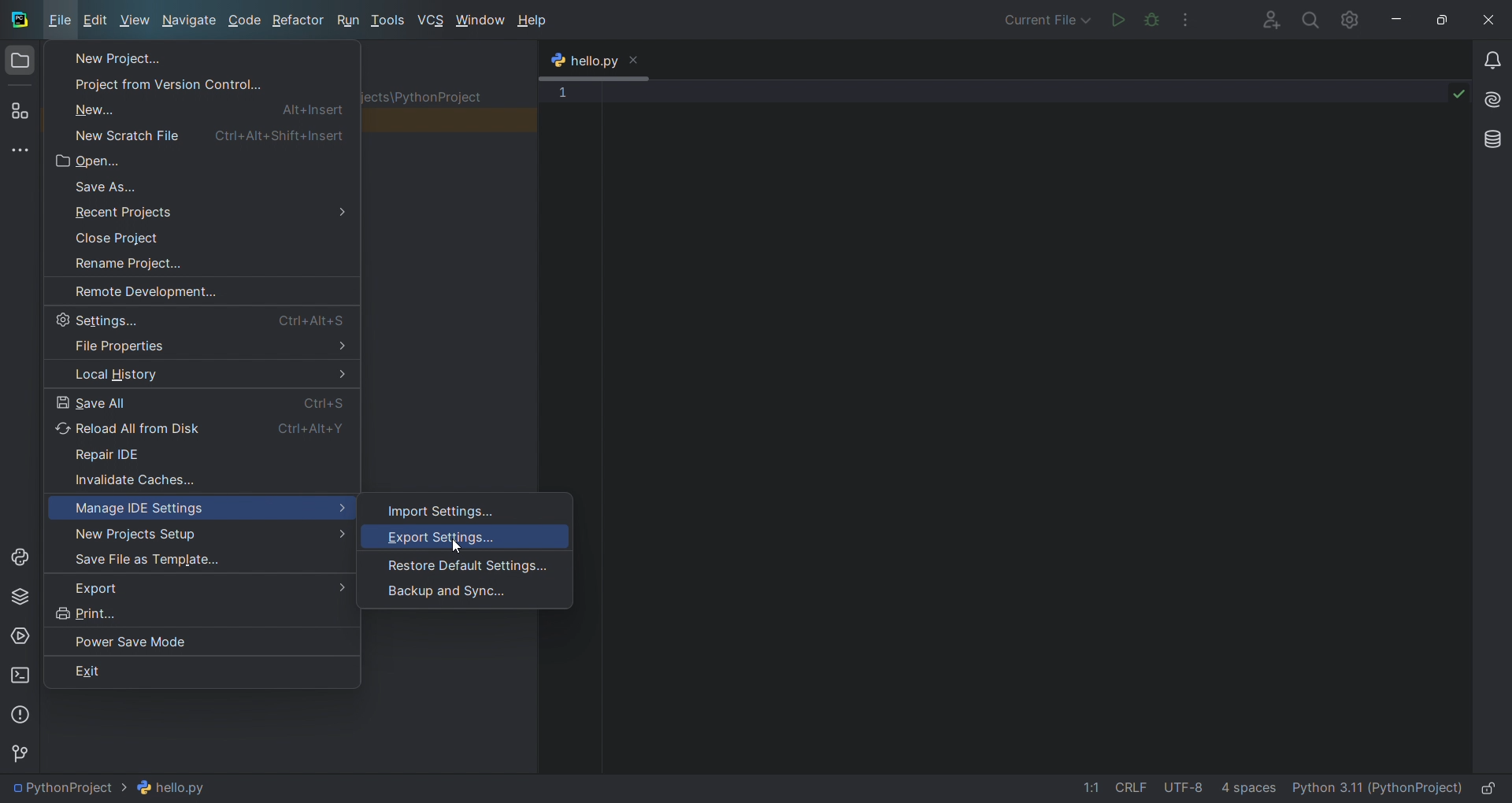 Image resolution: width=1512 pixels, height=803 pixels. I want to click on view, so click(136, 21).